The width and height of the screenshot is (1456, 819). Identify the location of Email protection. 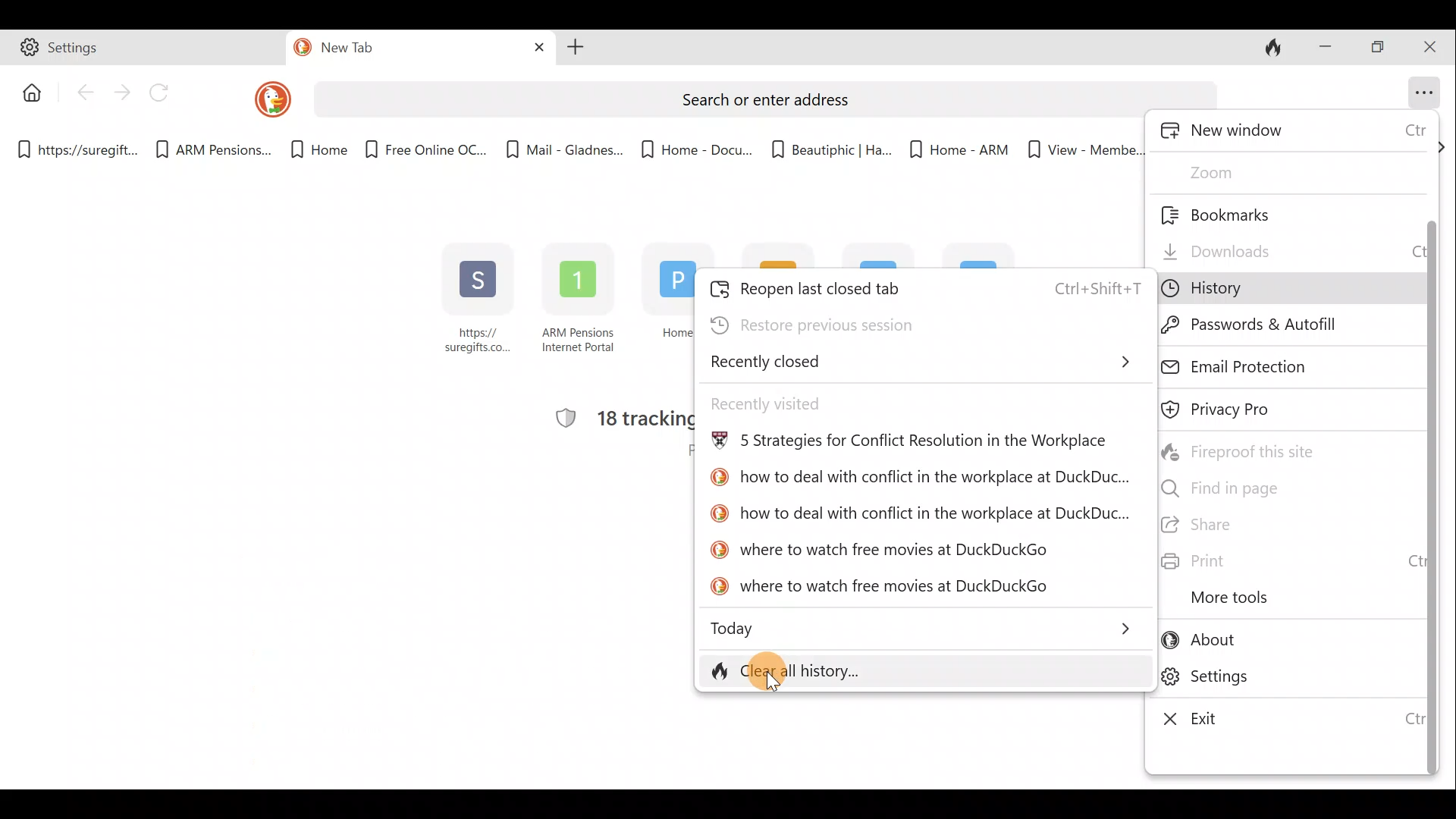
(1278, 364).